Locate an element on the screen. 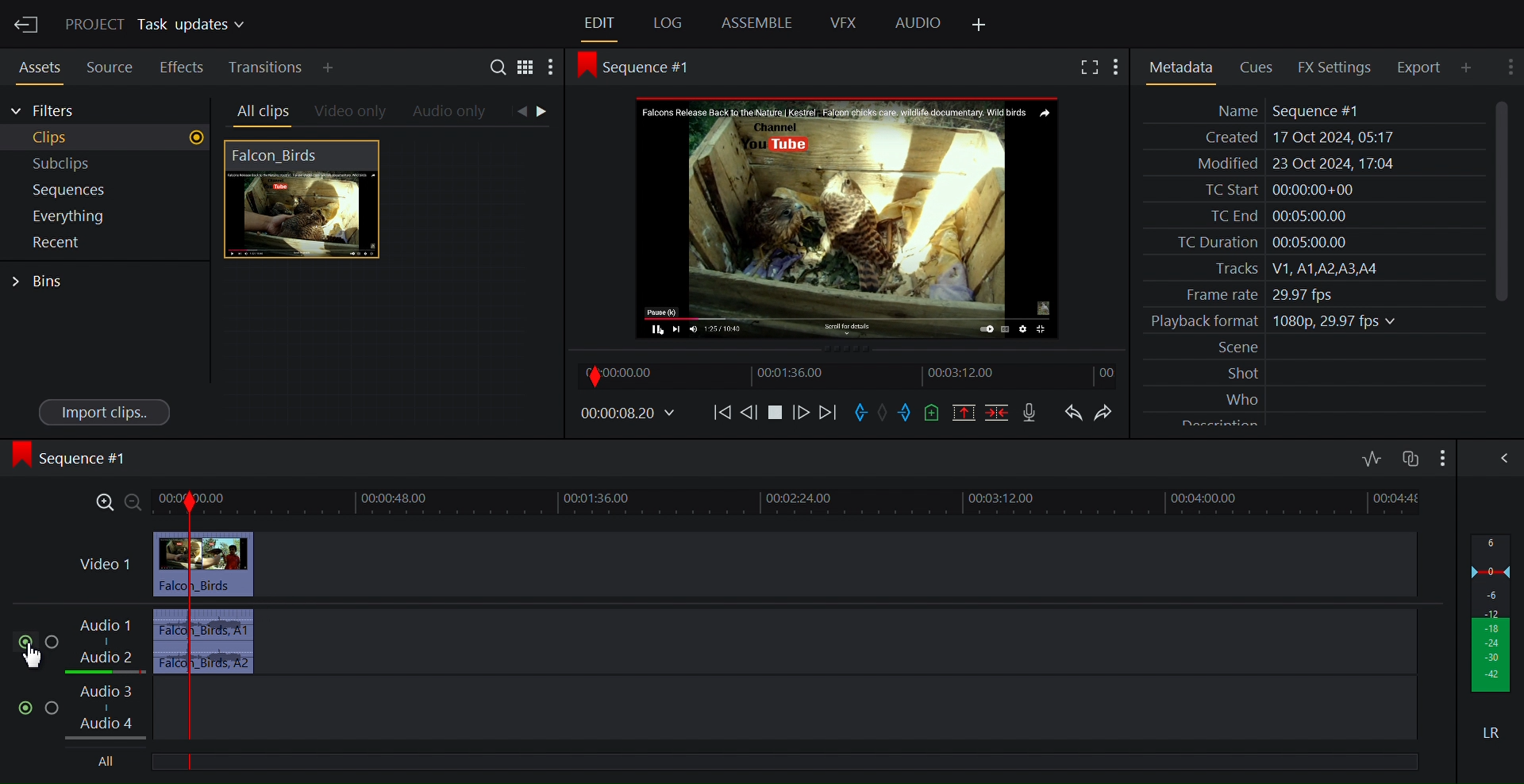 The height and width of the screenshot is (784, 1524). Sequence #1 is located at coordinates (645, 67).